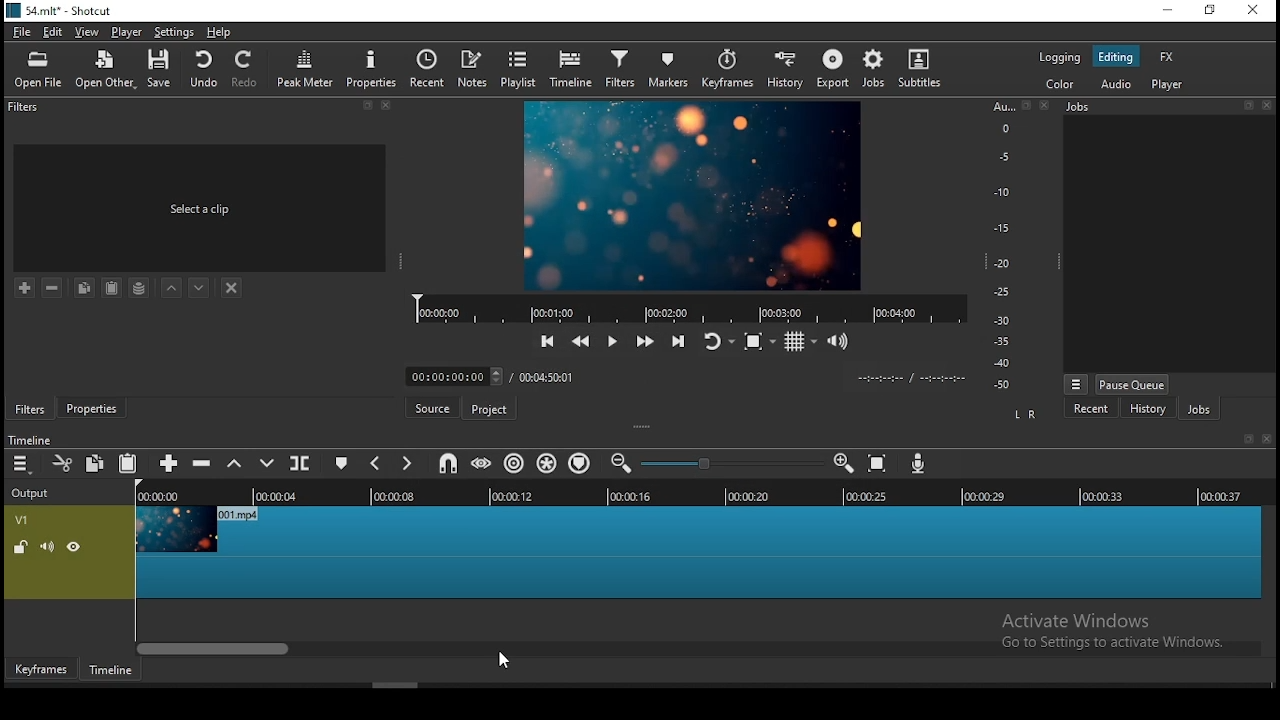 The height and width of the screenshot is (720, 1280). I want to click on play/pause, so click(612, 345).